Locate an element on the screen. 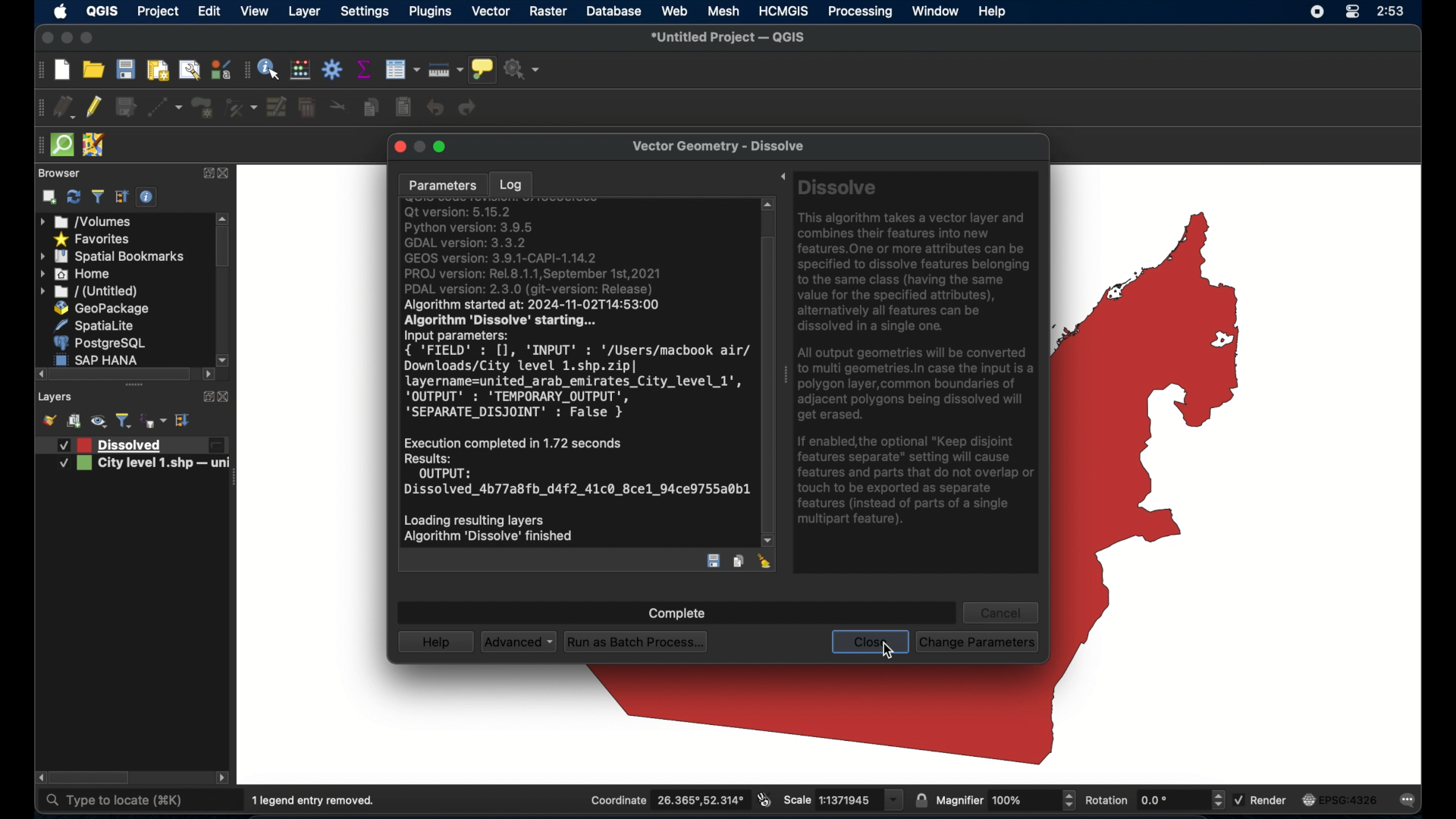  drag handle is located at coordinates (133, 385).